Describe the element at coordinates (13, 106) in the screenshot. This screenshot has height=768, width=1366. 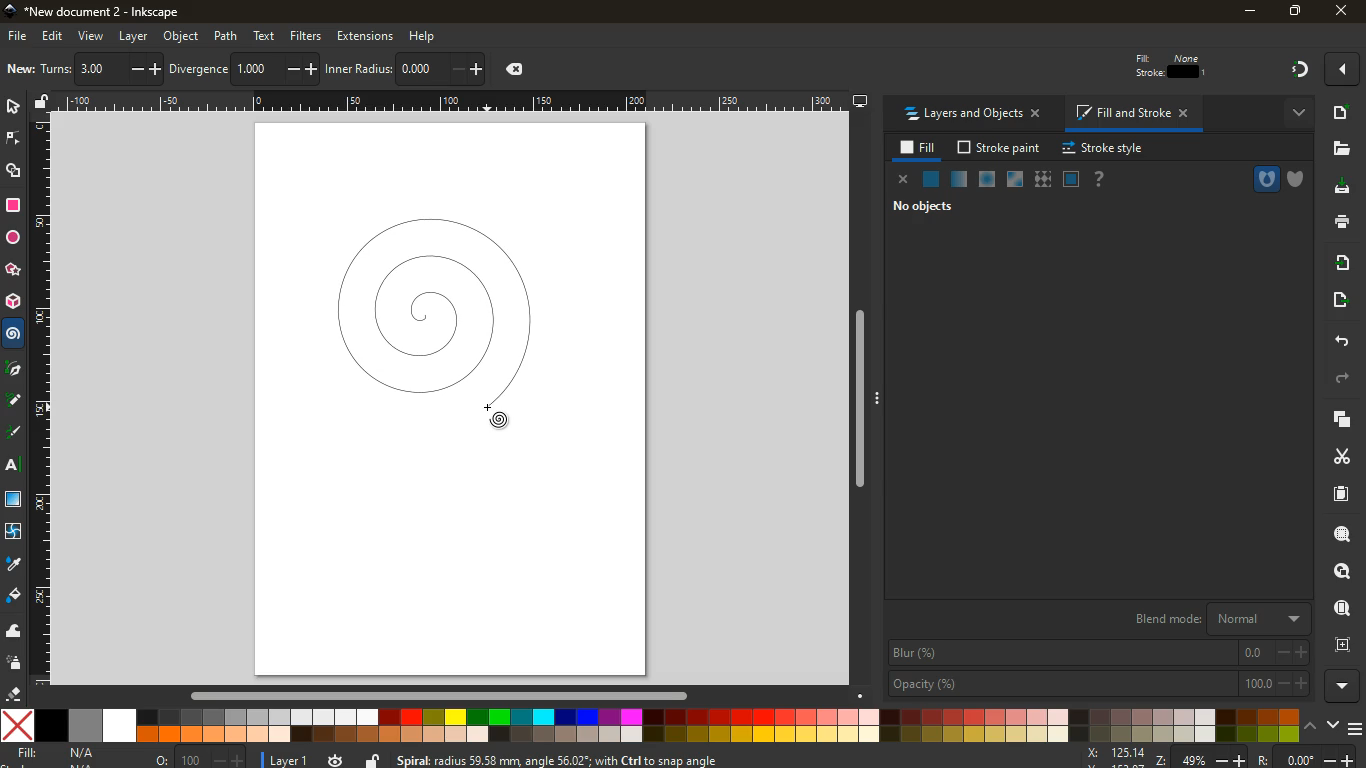
I see `select` at that location.